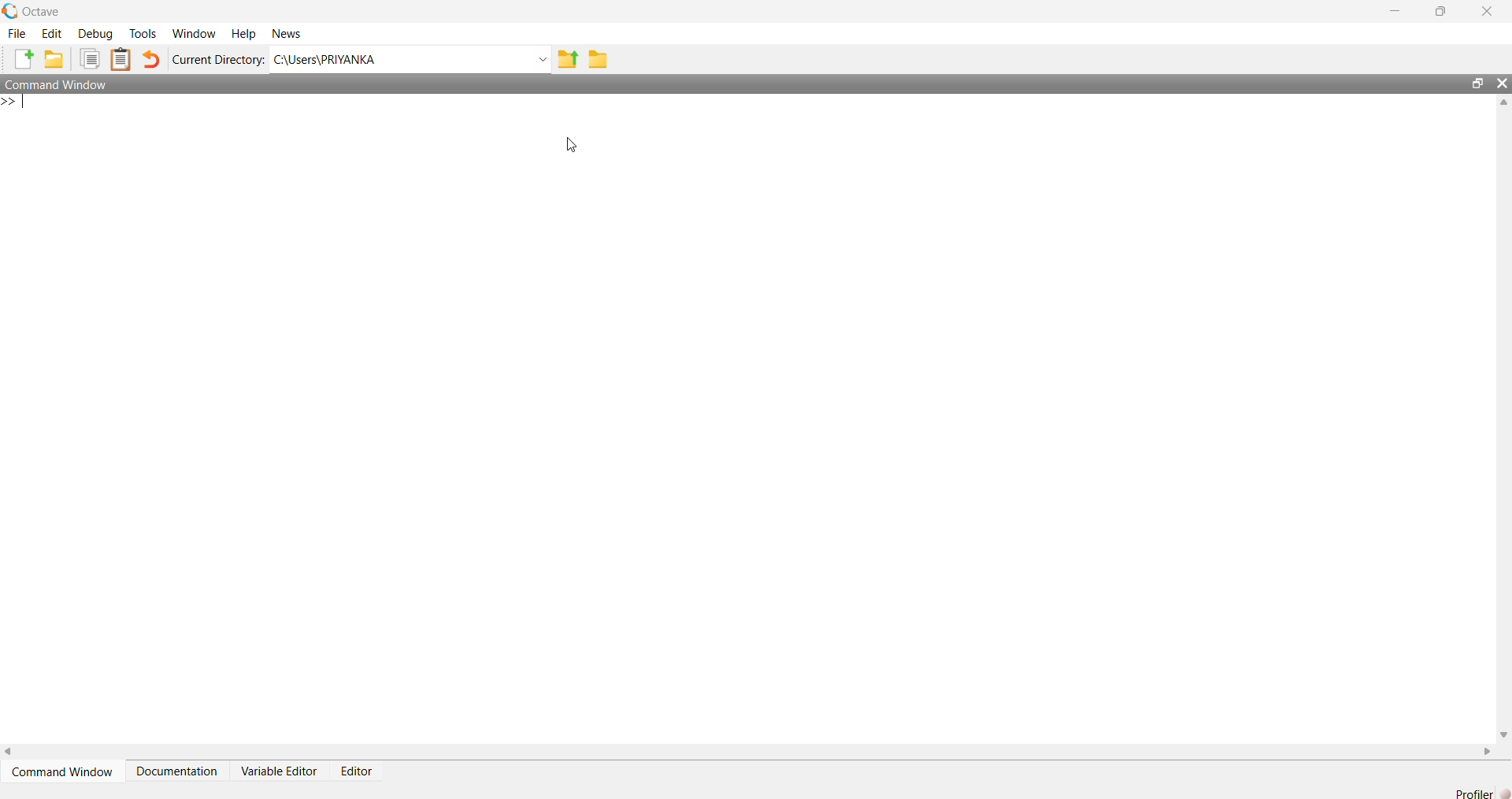 This screenshot has height=799, width=1512. I want to click on one directory up, so click(569, 58).